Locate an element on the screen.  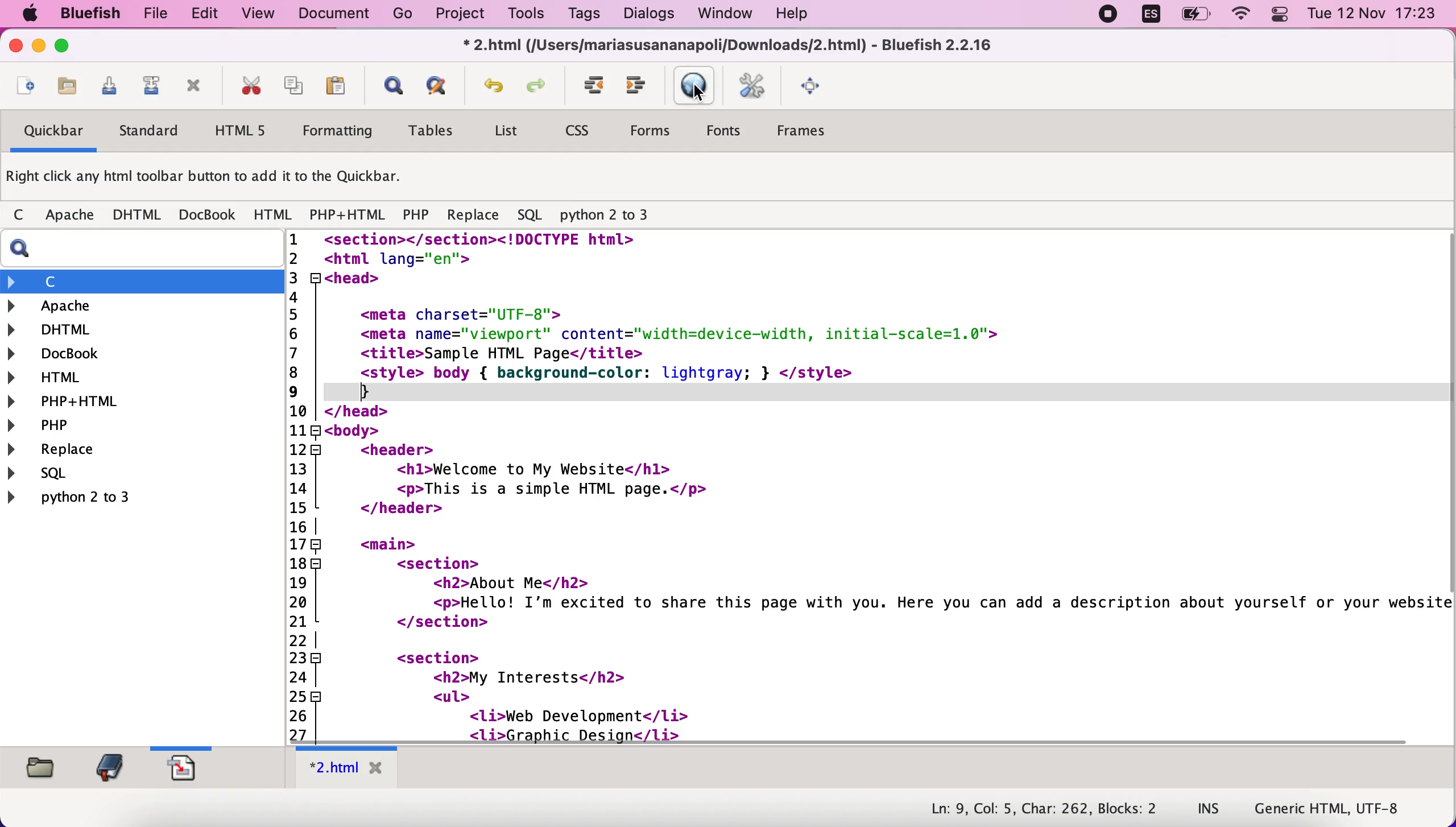
apache is located at coordinates (73, 215).